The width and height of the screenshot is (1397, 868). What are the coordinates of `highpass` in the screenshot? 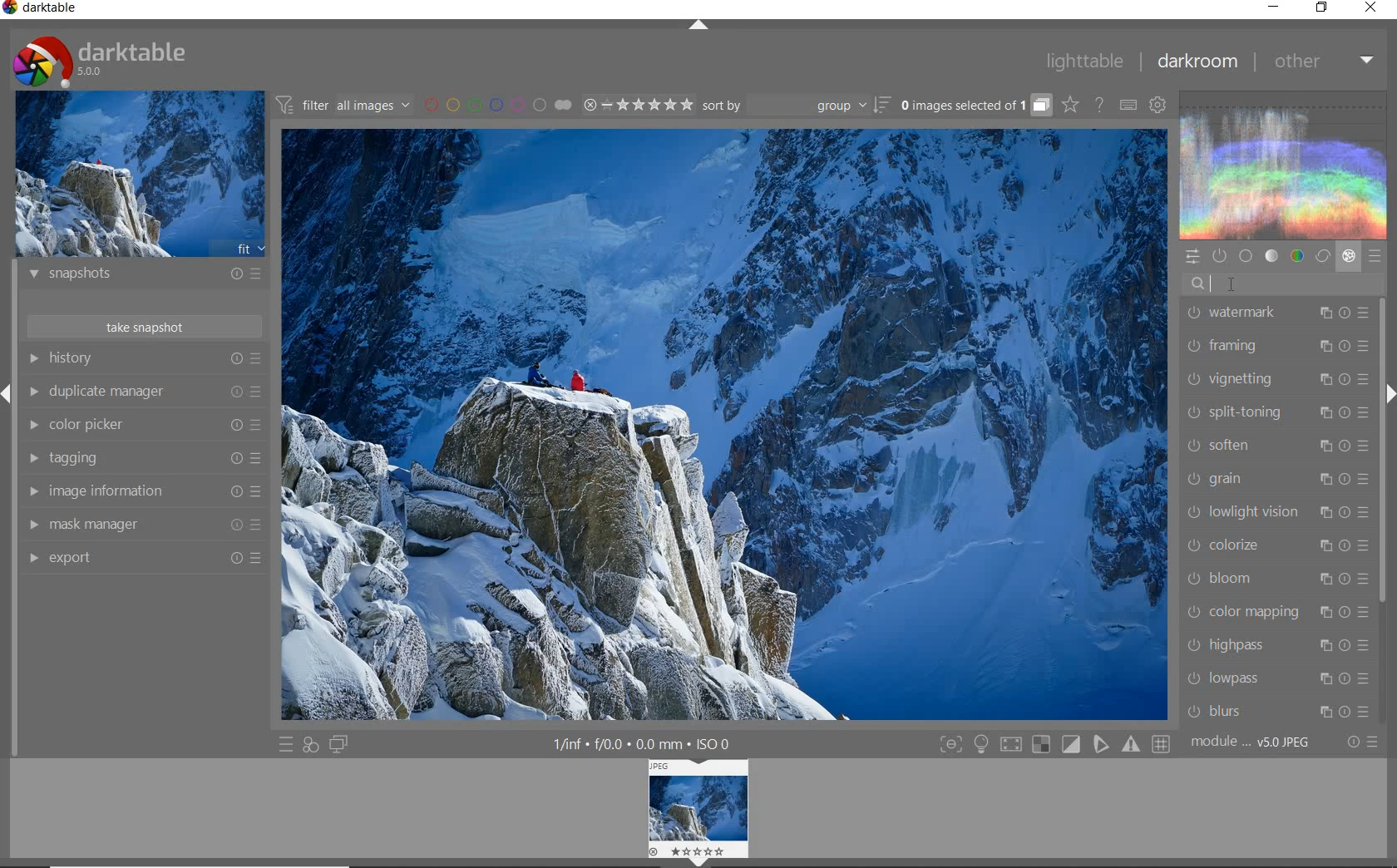 It's located at (1278, 647).